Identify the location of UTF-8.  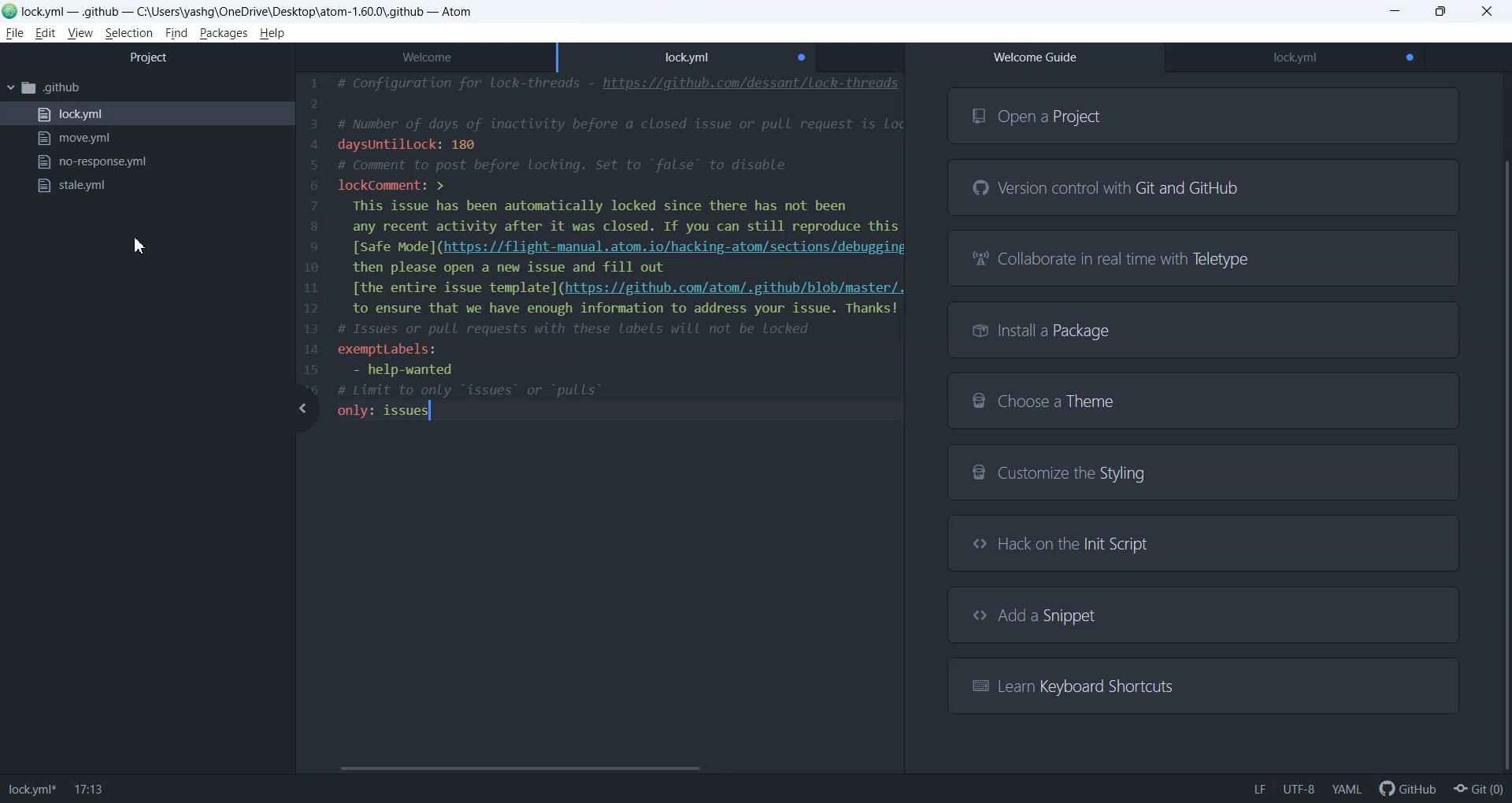
(1299, 789).